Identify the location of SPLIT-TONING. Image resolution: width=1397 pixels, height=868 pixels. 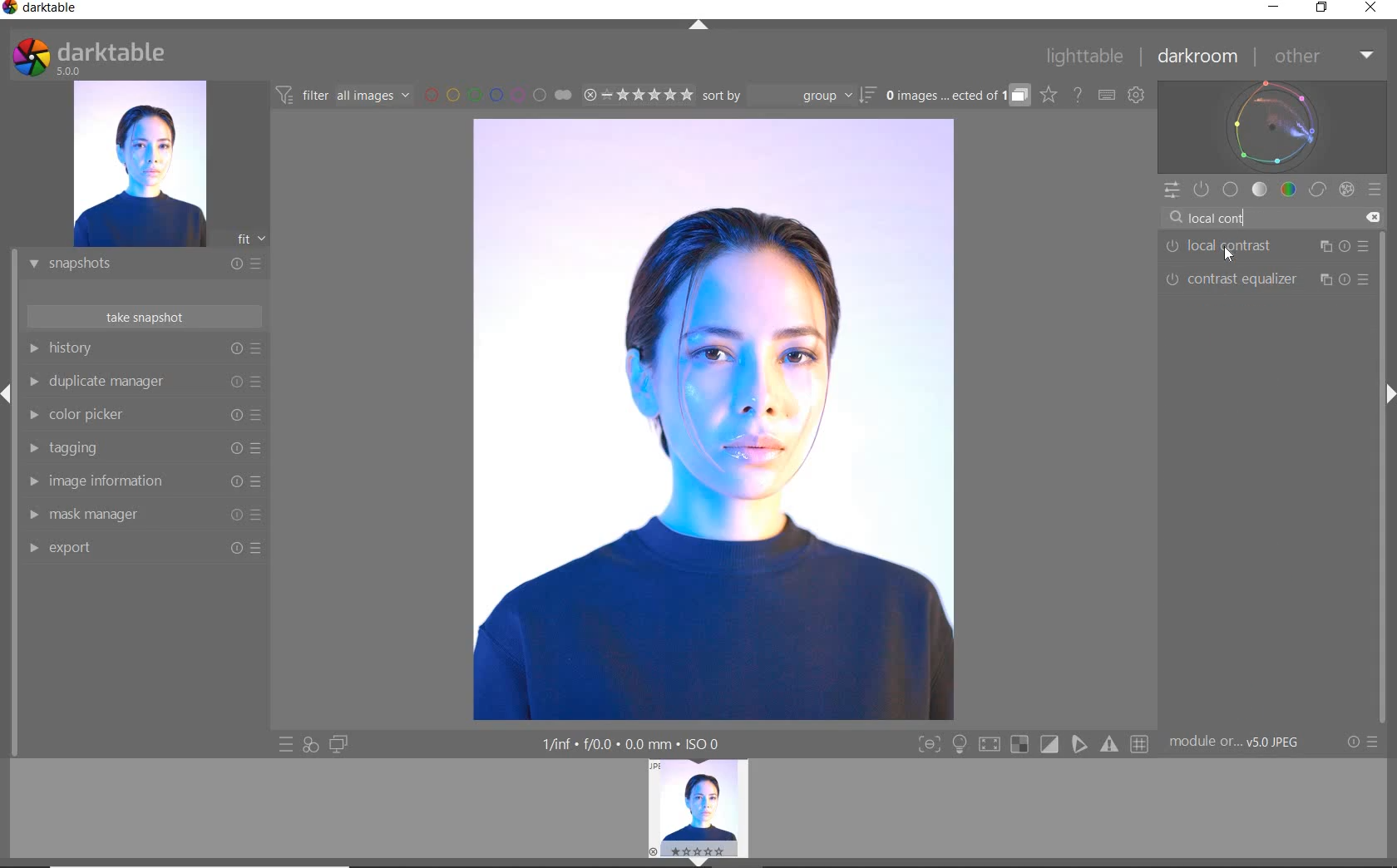
(1265, 345).